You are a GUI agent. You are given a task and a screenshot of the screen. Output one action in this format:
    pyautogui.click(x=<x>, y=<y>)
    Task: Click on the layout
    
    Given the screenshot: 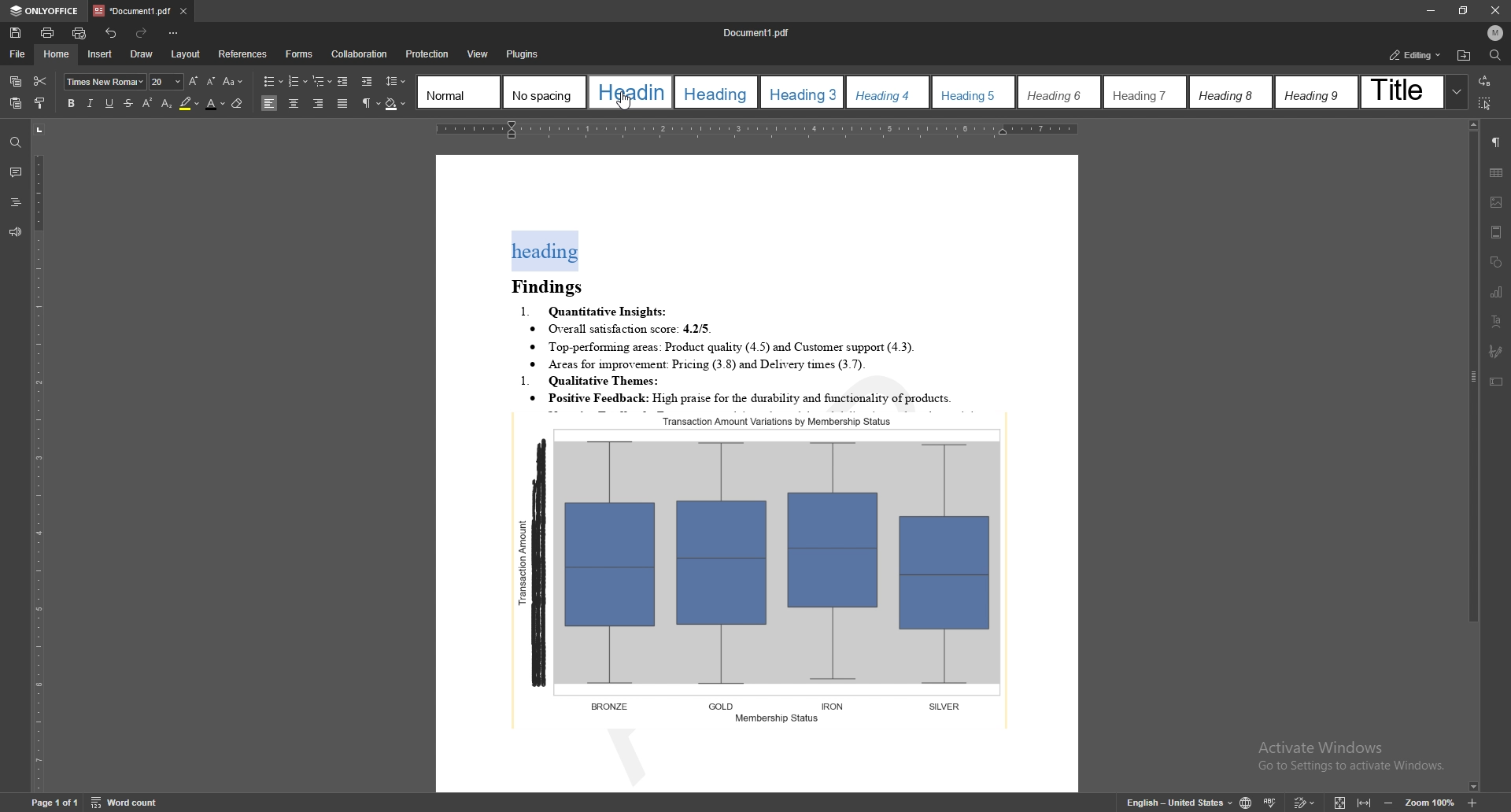 What is the action you would take?
    pyautogui.click(x=187, y=54)
    